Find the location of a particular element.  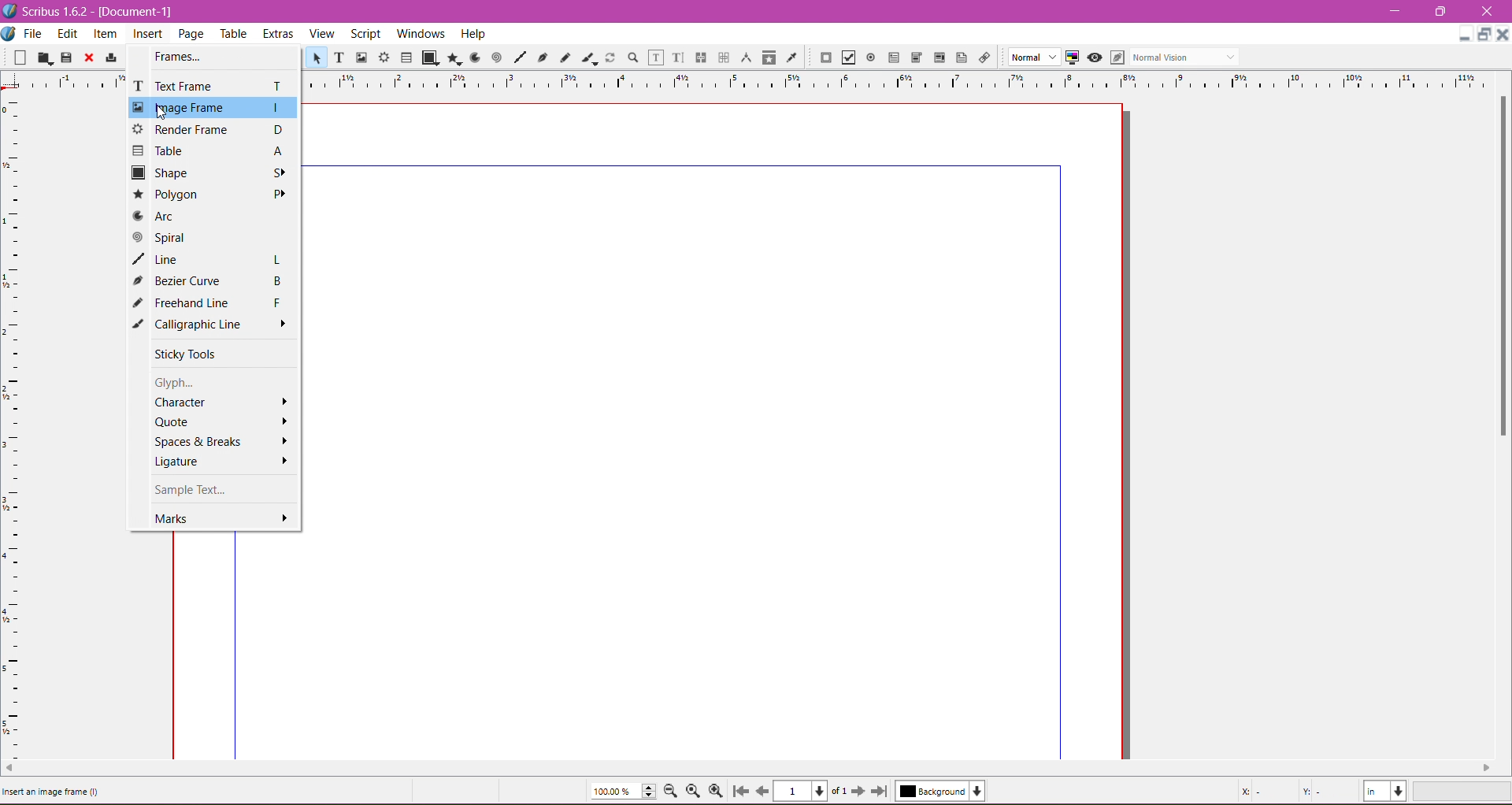

Preview Mode is located at coordinates (1094, 58).